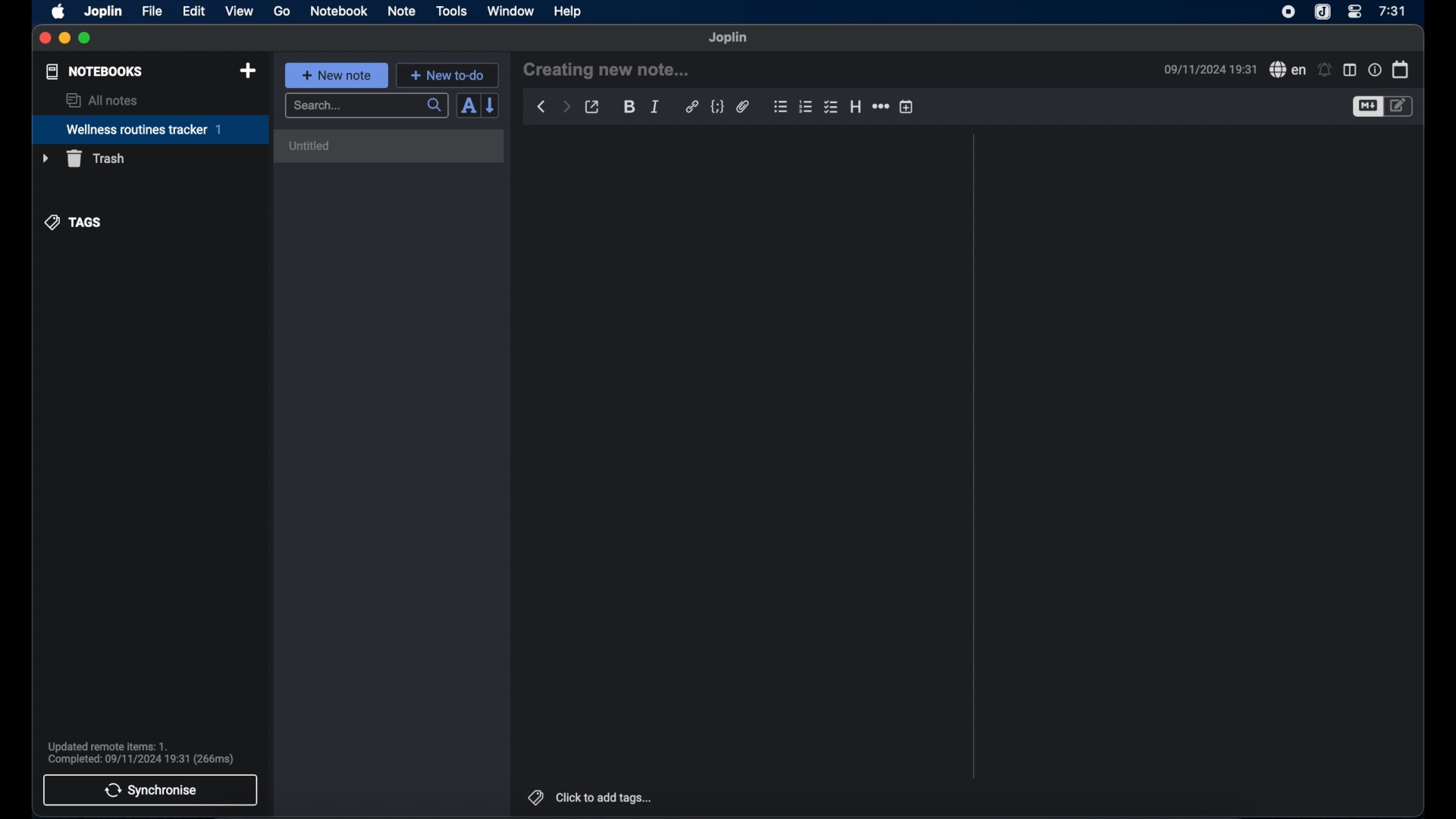  Describe the element at coordinates (74, 223) in the screenshot. I see `tags` at that location.